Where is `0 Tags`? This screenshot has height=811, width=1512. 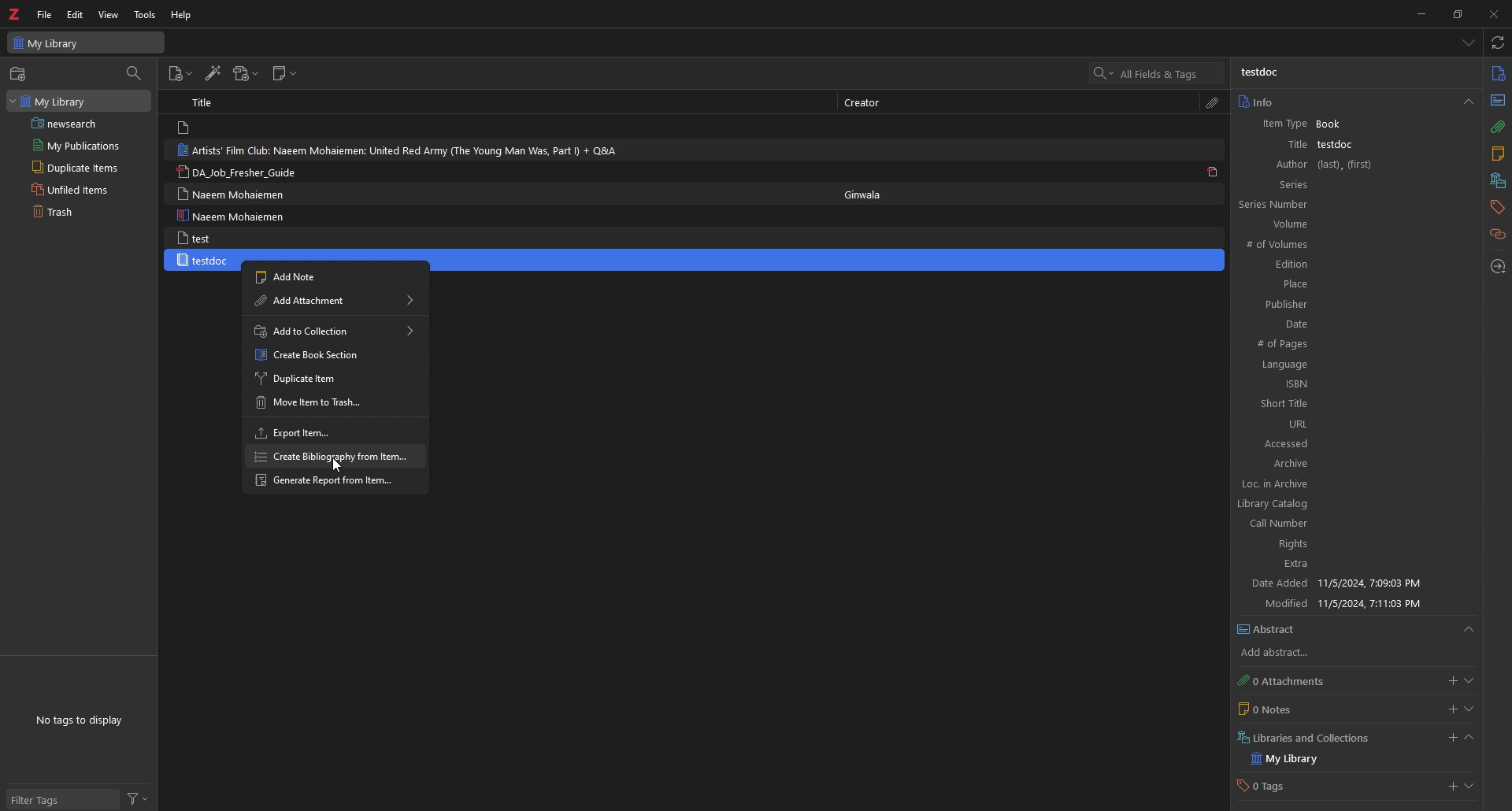
0 Tags is located at coordinates (1278, 787).